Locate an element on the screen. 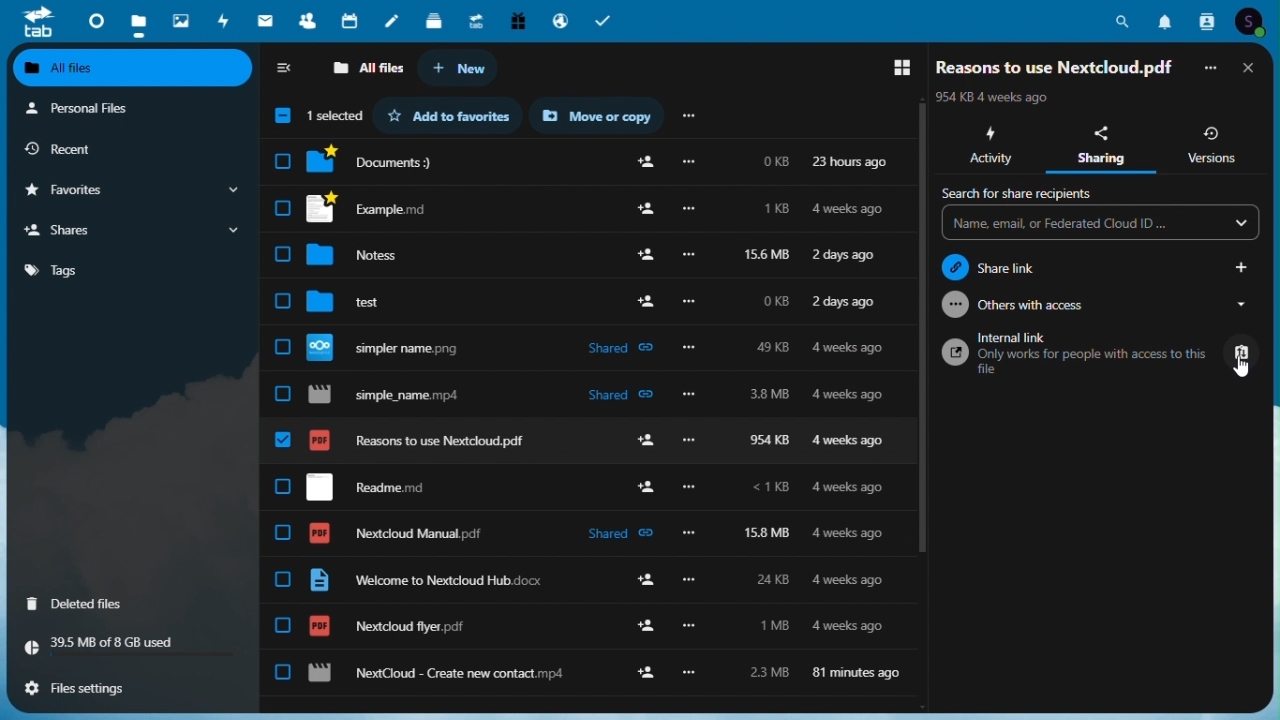 This screenshot has width=1280, height=720. recent is located at coordinates (130, 149).